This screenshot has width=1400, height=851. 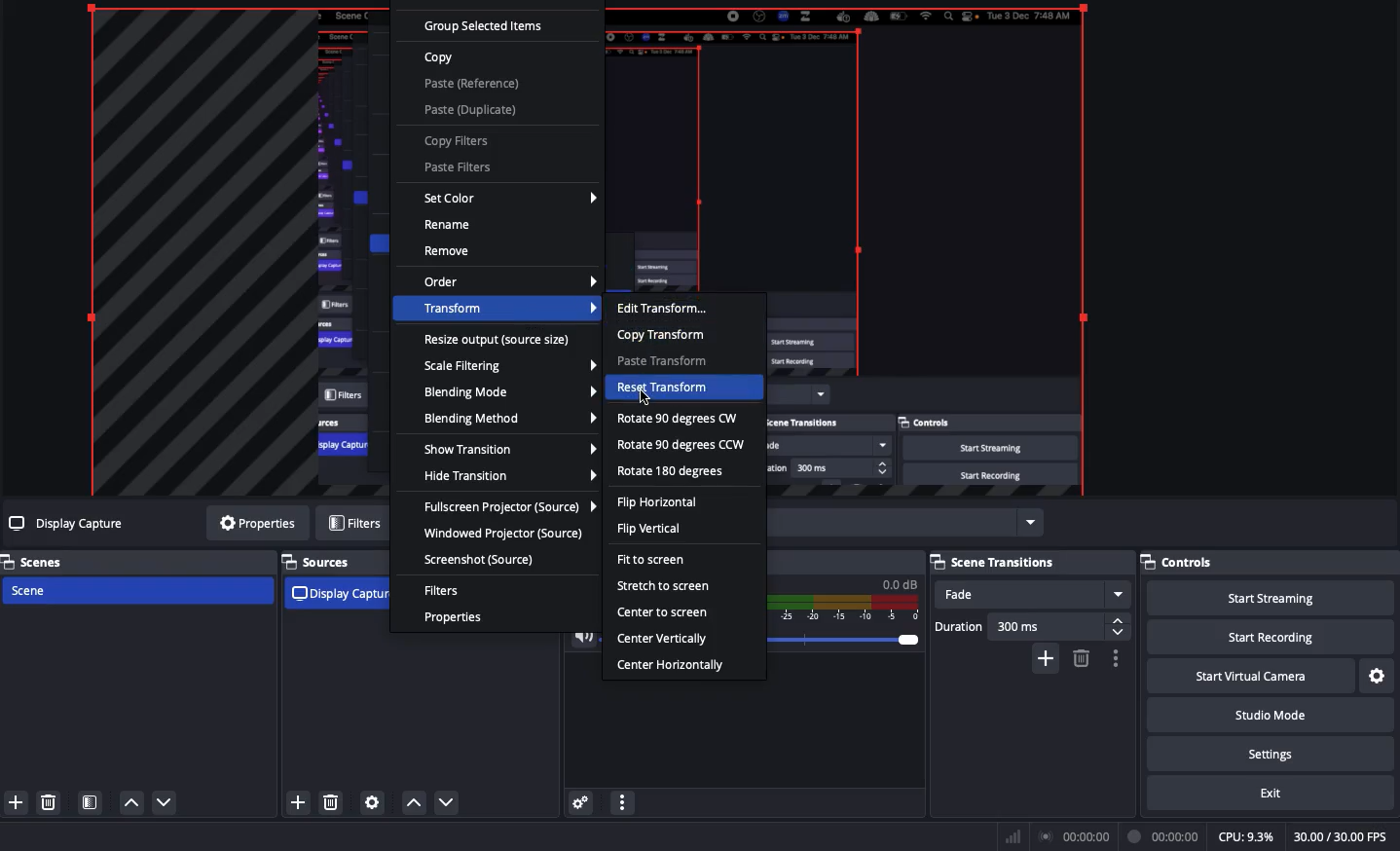 I want to click on Paste transform, so click(x=662, y=362).